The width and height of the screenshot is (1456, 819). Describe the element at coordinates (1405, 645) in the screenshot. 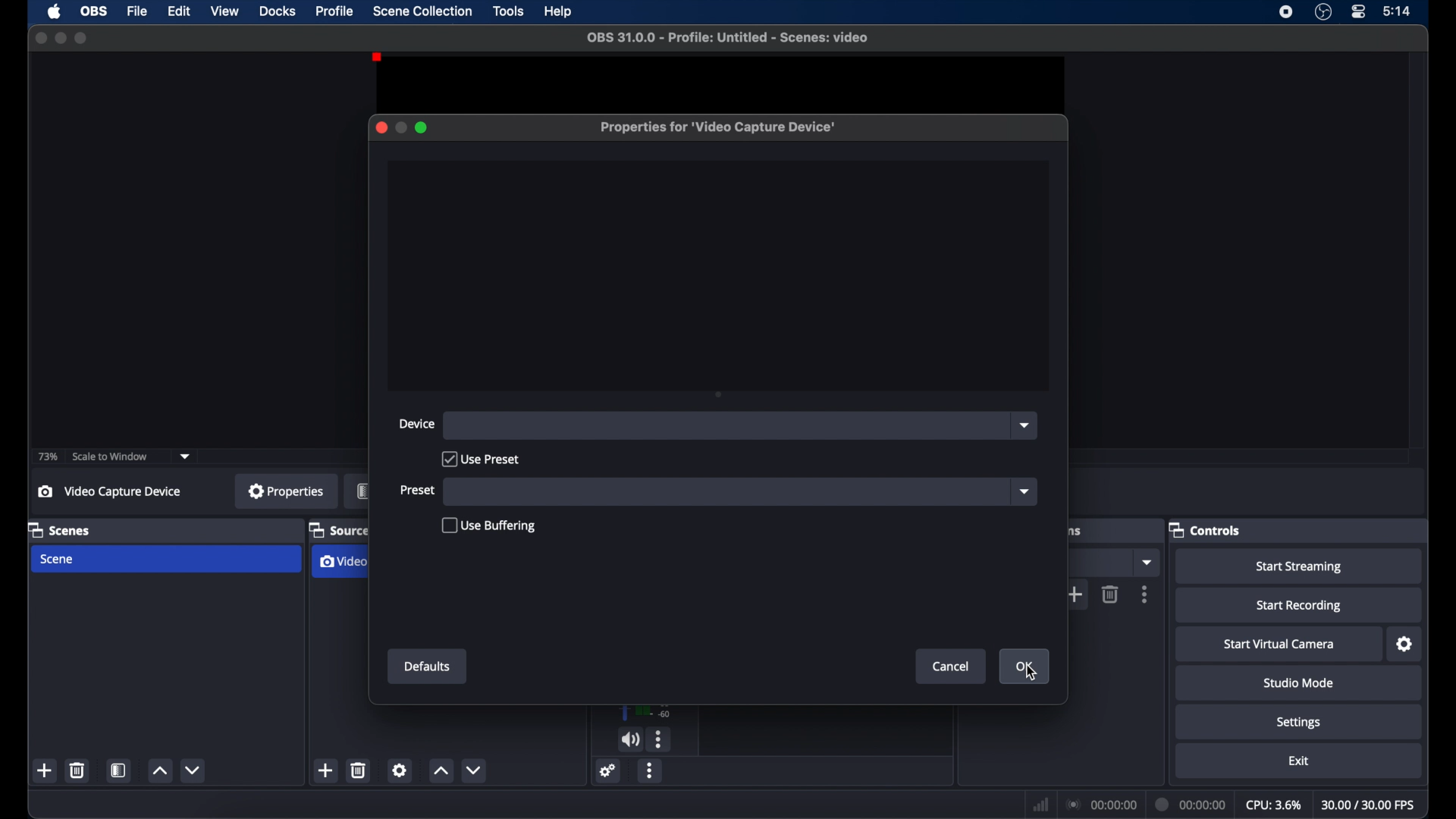

I see `settings` at that location.